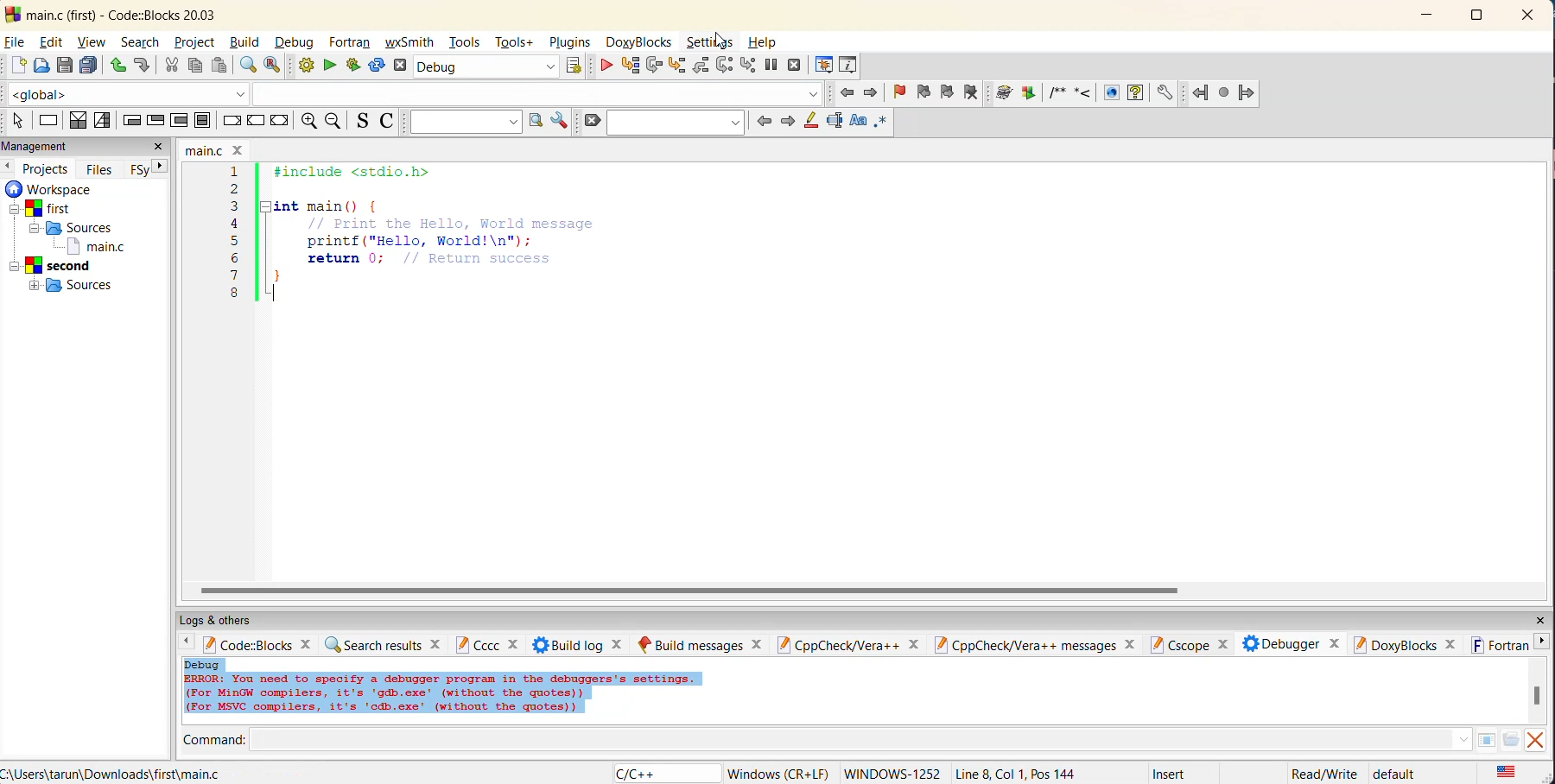 The height and width of the screenshot is (784, 1555). I want to click on next bookmark, so click(947, 92).